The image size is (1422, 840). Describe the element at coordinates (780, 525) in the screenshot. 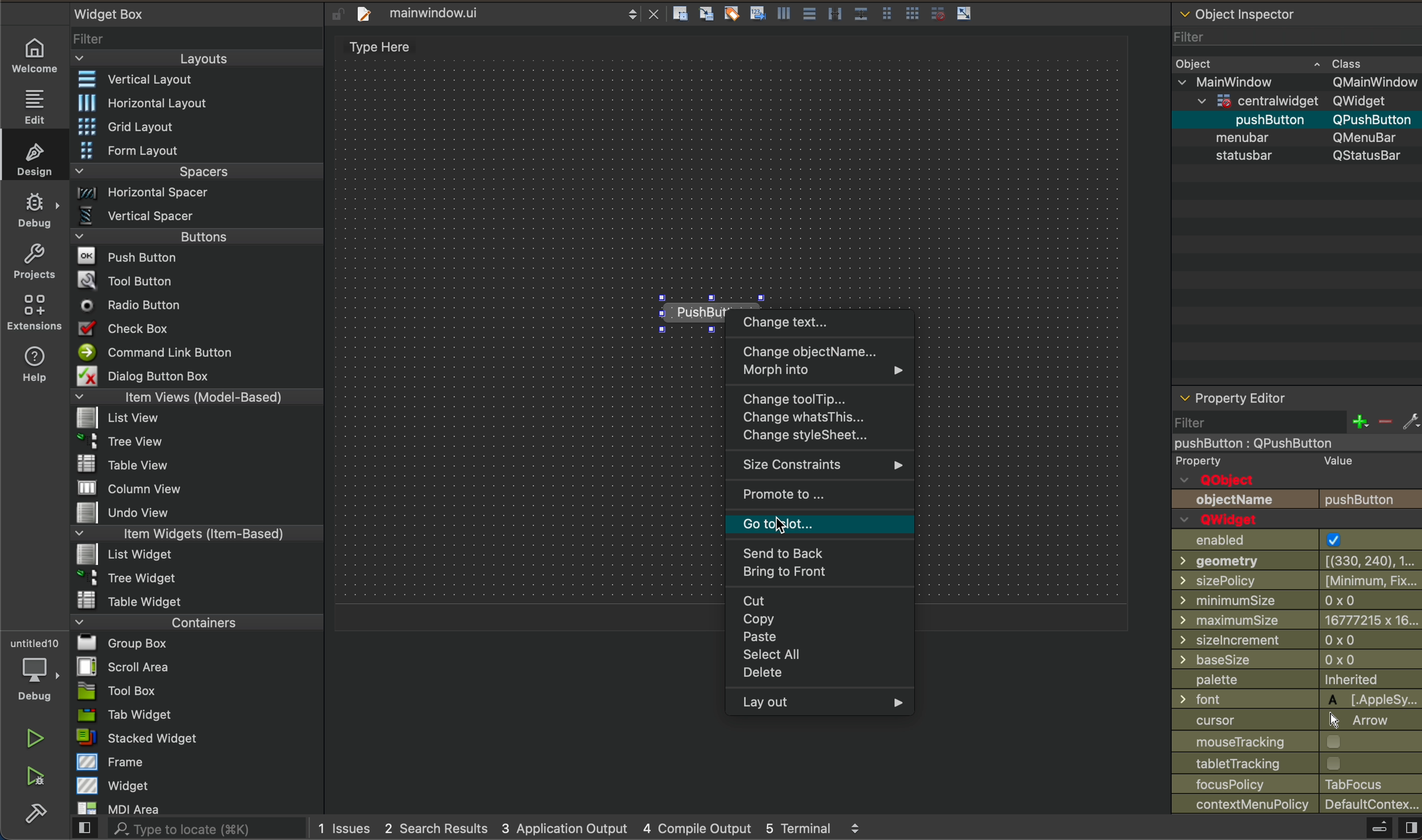

I see `Cursor` at that location.